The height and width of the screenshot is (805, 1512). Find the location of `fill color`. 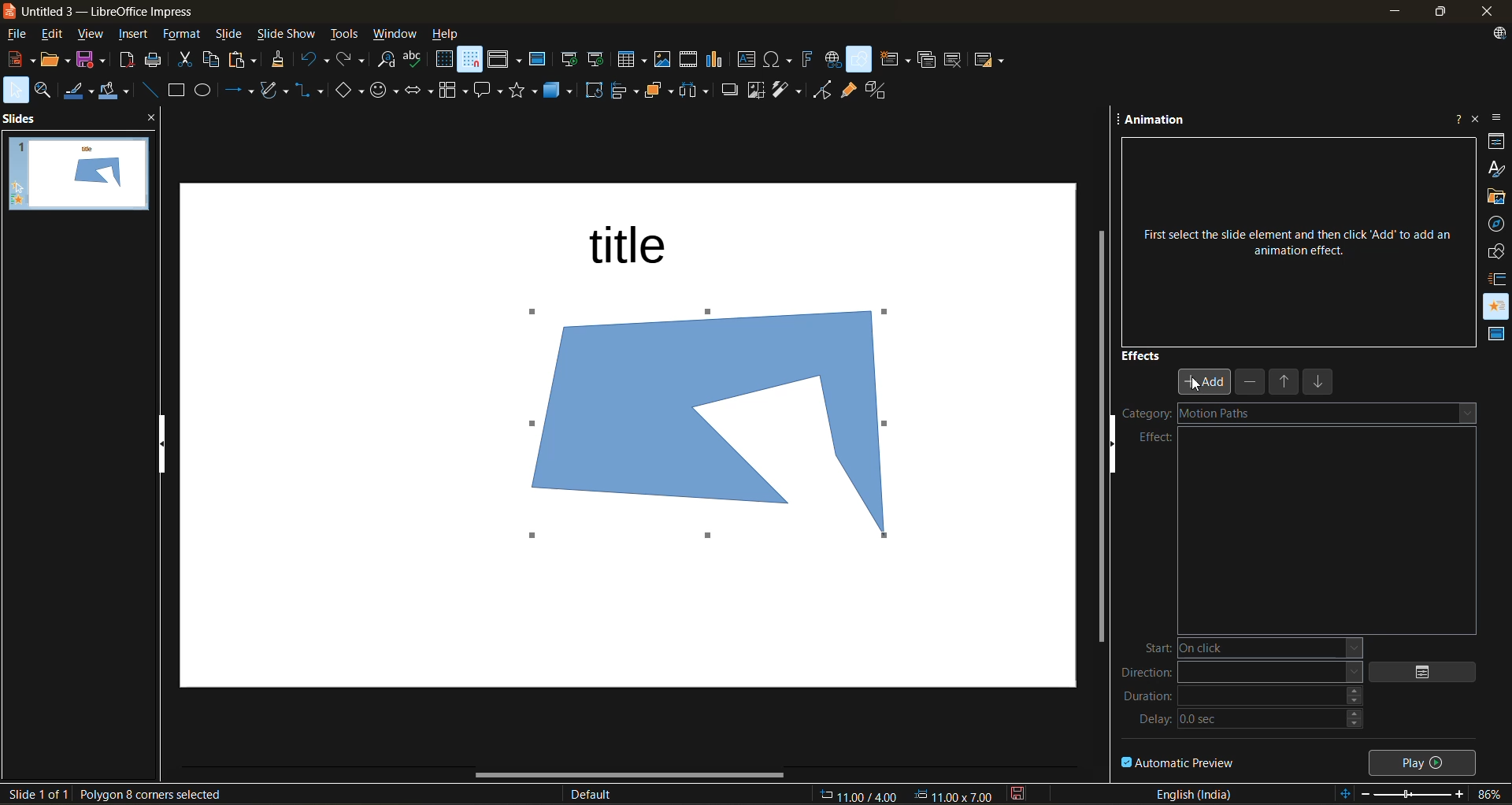

fill color is located at coordinates (117, 94).